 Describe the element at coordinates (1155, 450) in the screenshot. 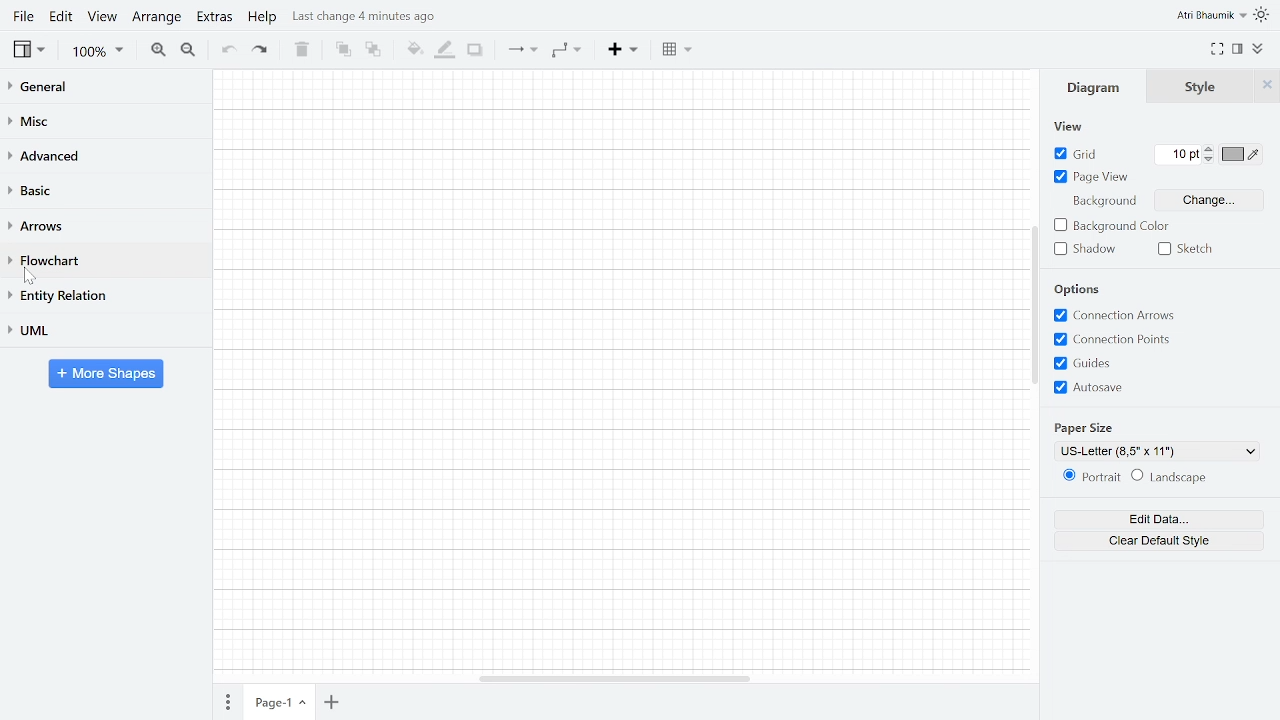

I see `Paper size` at that location.